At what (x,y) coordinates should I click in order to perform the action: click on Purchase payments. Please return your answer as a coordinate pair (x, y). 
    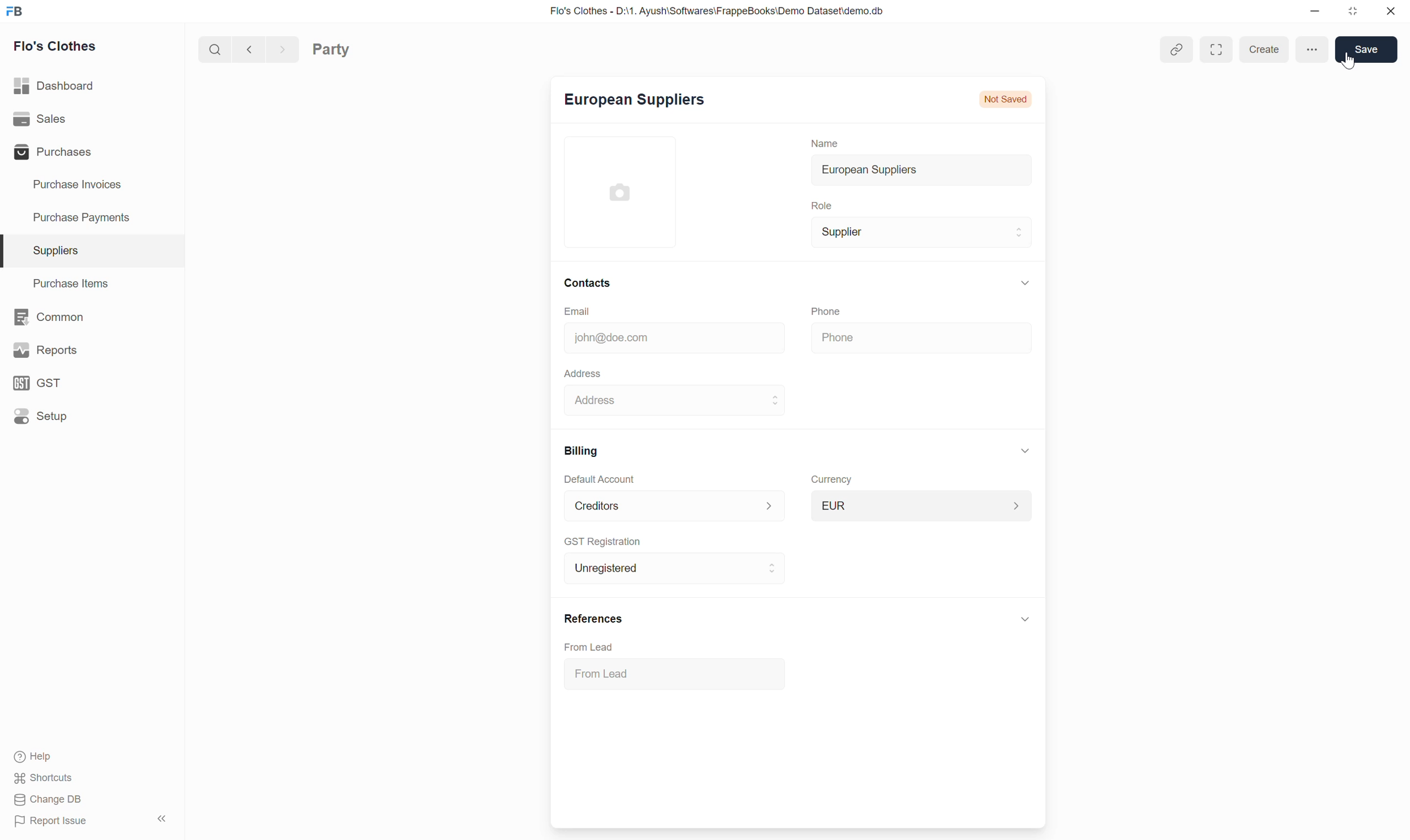
    Looking at the image, I should click on (70, 217).